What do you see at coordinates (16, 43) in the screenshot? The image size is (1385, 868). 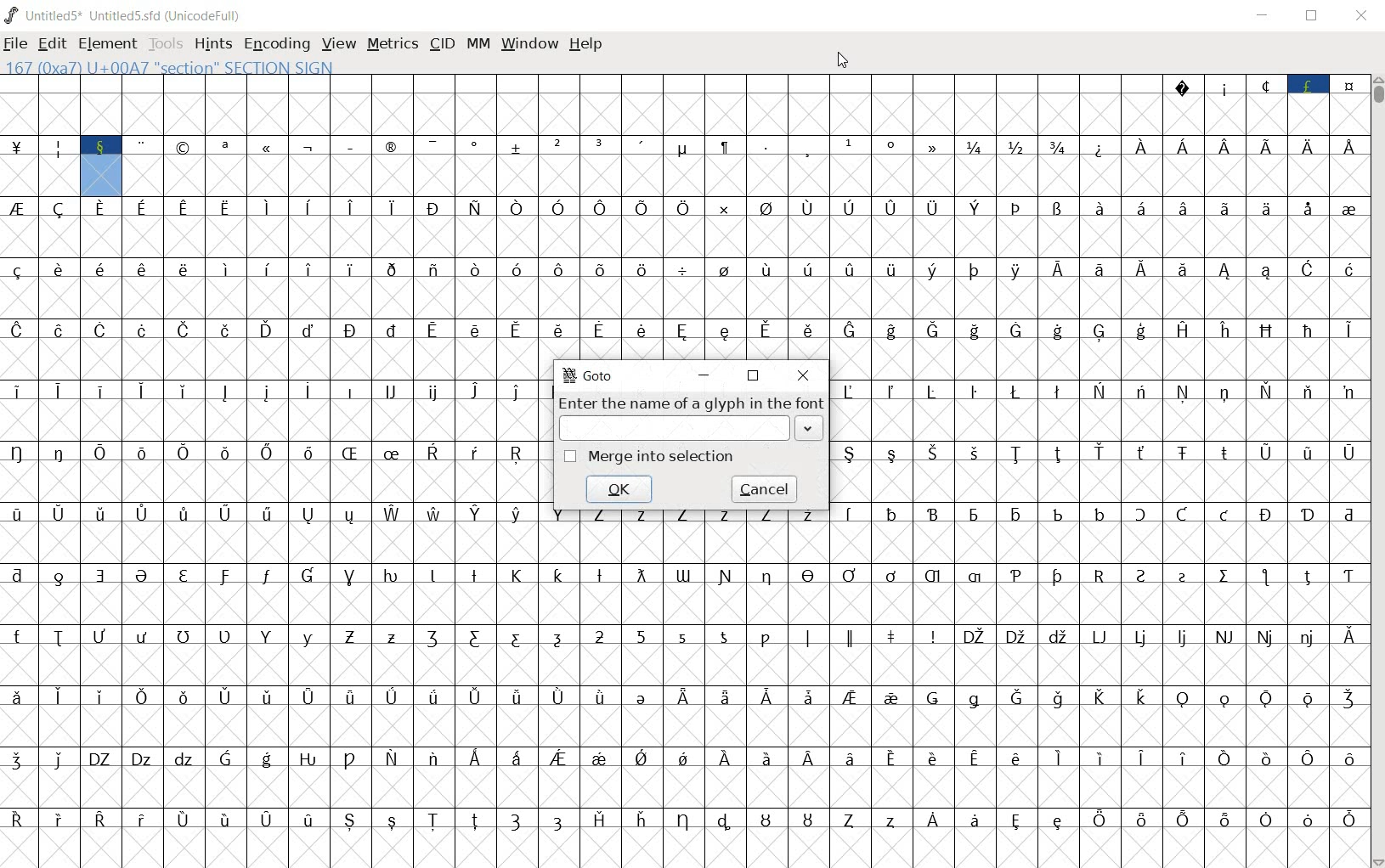 I see `file` at bounding box center [16, 43].